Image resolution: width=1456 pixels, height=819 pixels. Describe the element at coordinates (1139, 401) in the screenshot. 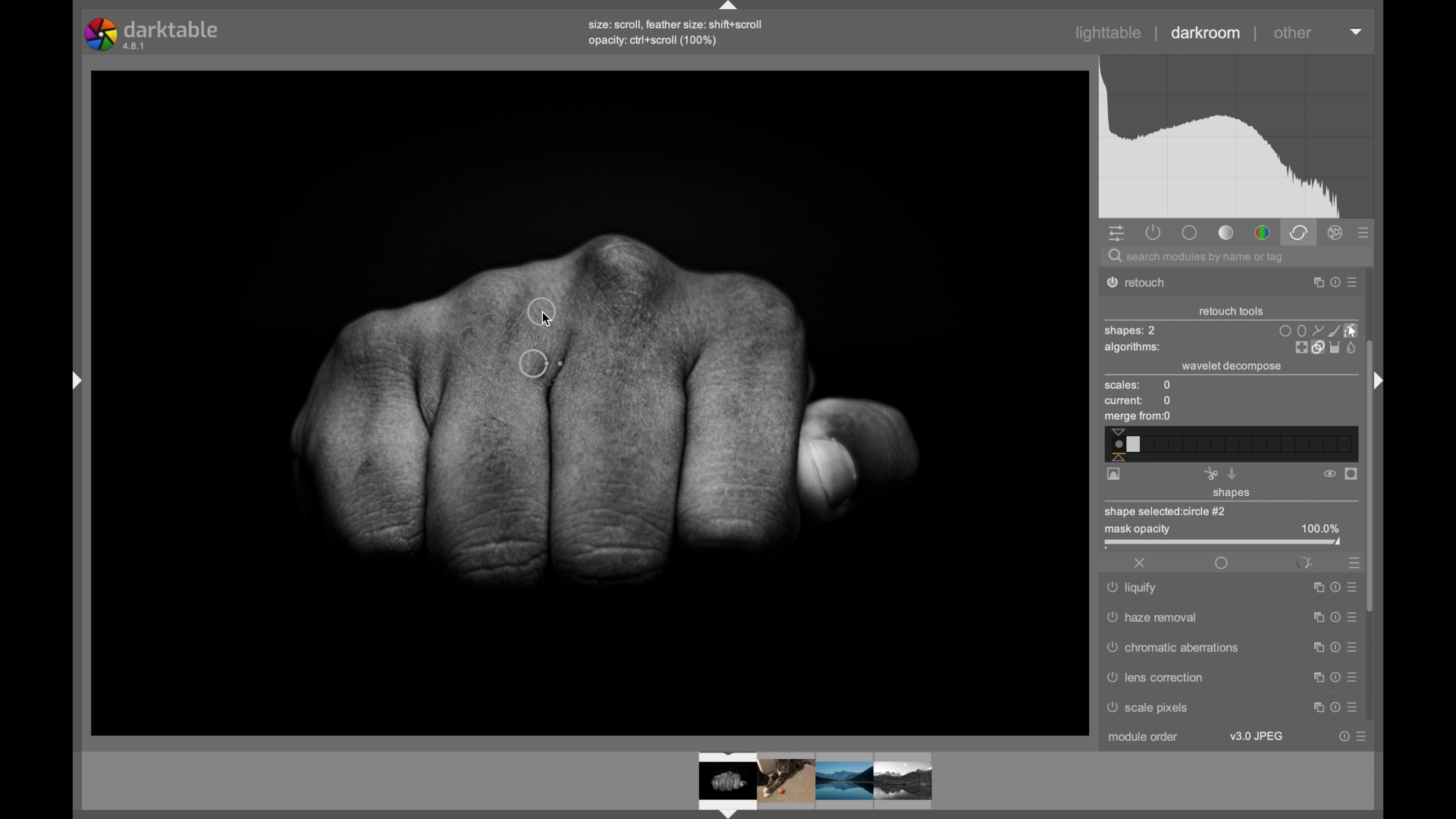

I see `current 0` at that location.